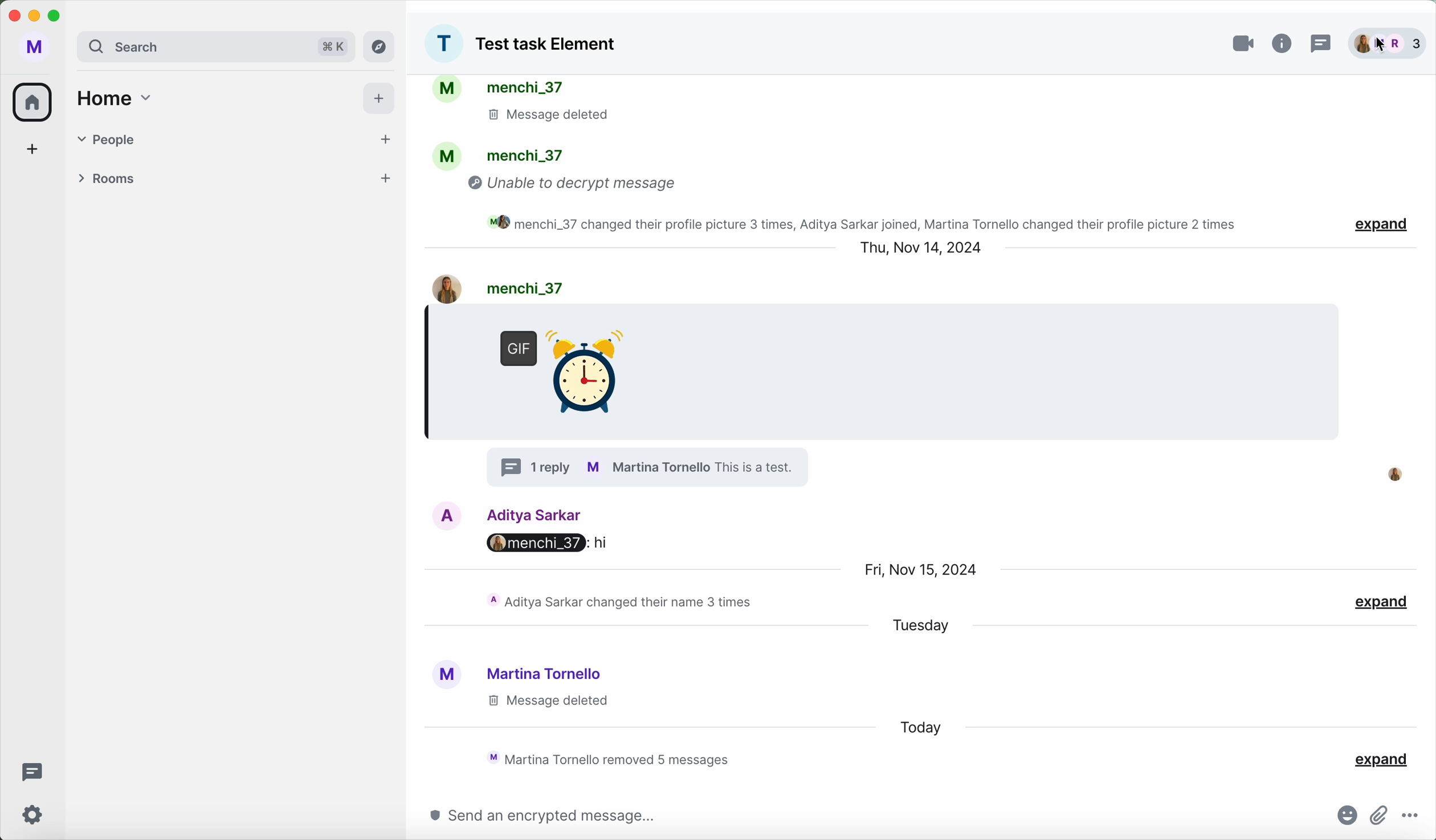 Image resolution: width=1436 pixels, height=840 pixels. Describe the element at coordinates (923, 569) in the screenshot. I see `date` at that location.